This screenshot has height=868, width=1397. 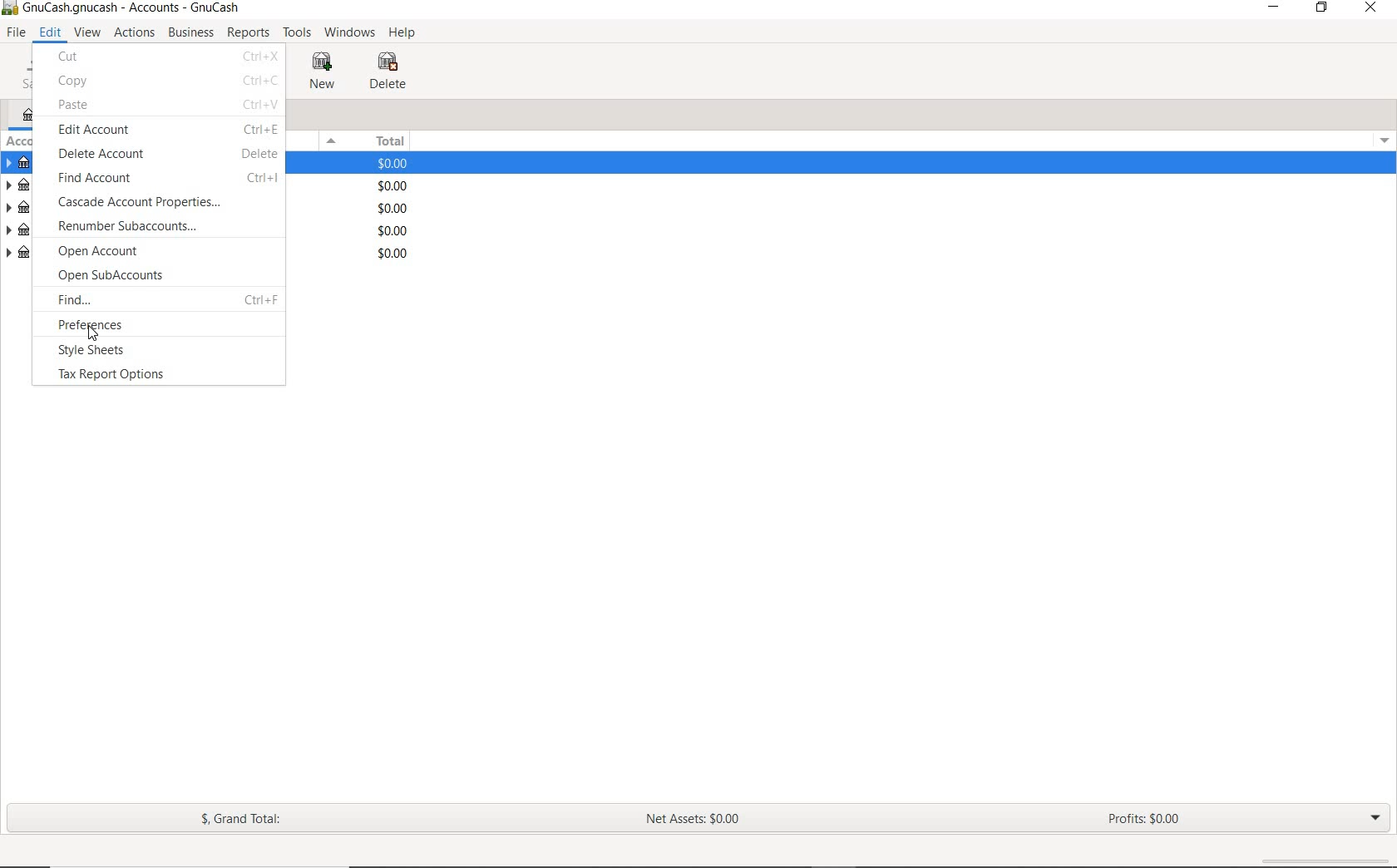 What do you see at coordinates (16, 165) in the screenshot?
I see `ASSETS` at bounding box center [16, 165].